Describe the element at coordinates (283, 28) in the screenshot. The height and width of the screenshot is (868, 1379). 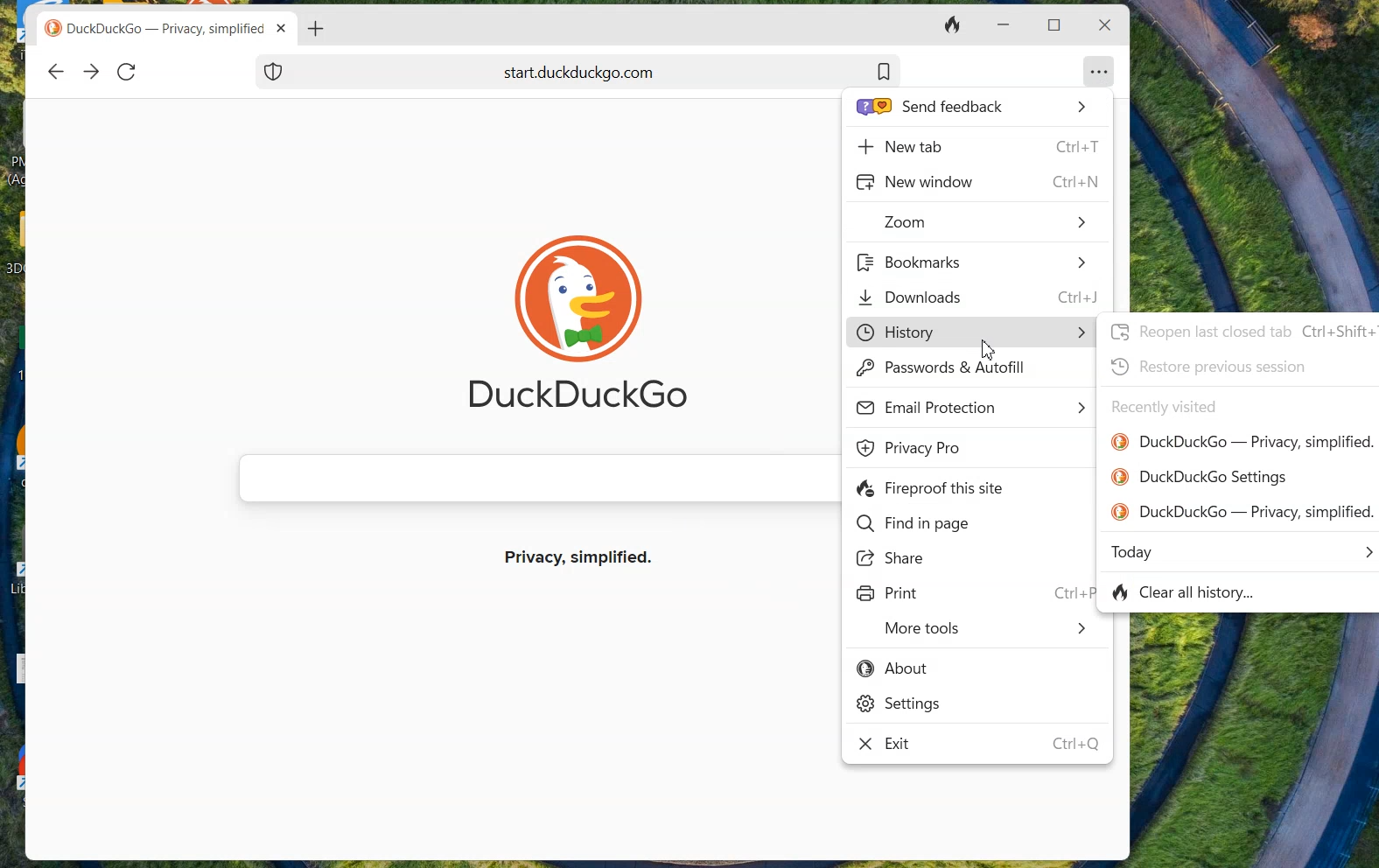
I see `close` at that location.